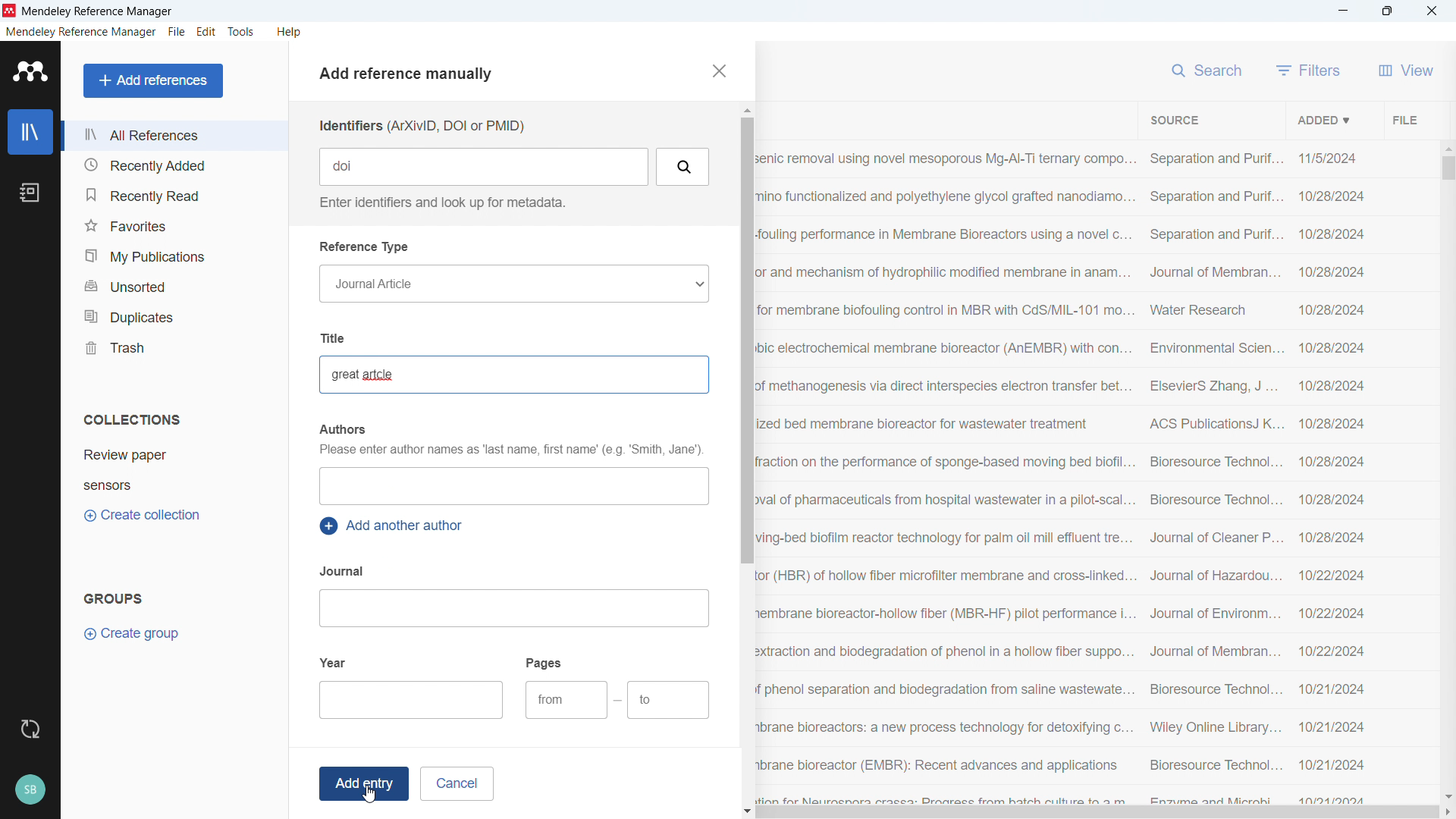  What do you see at coordinates (513, 486) in the screenshot?
I see `Add authors ` at bounding box center [513, 486].